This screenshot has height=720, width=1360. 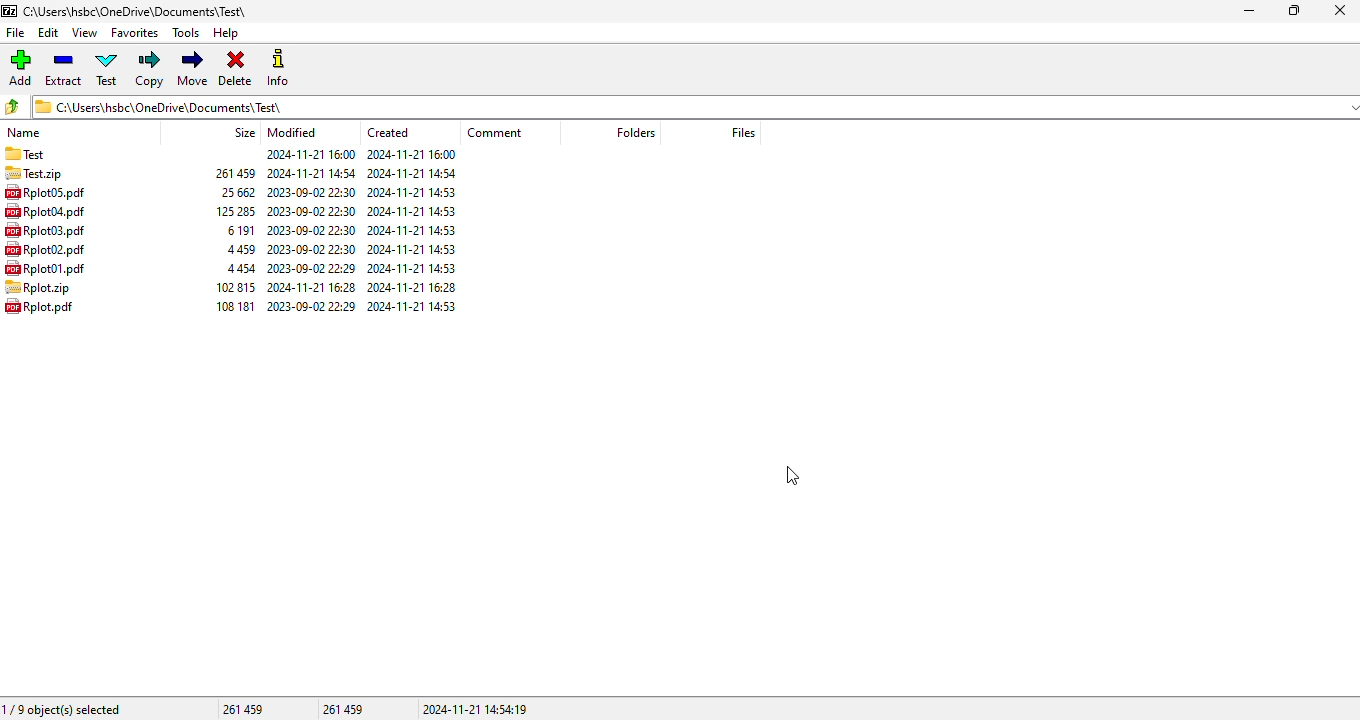 I want to click on folders, so click(x=635, y=131).